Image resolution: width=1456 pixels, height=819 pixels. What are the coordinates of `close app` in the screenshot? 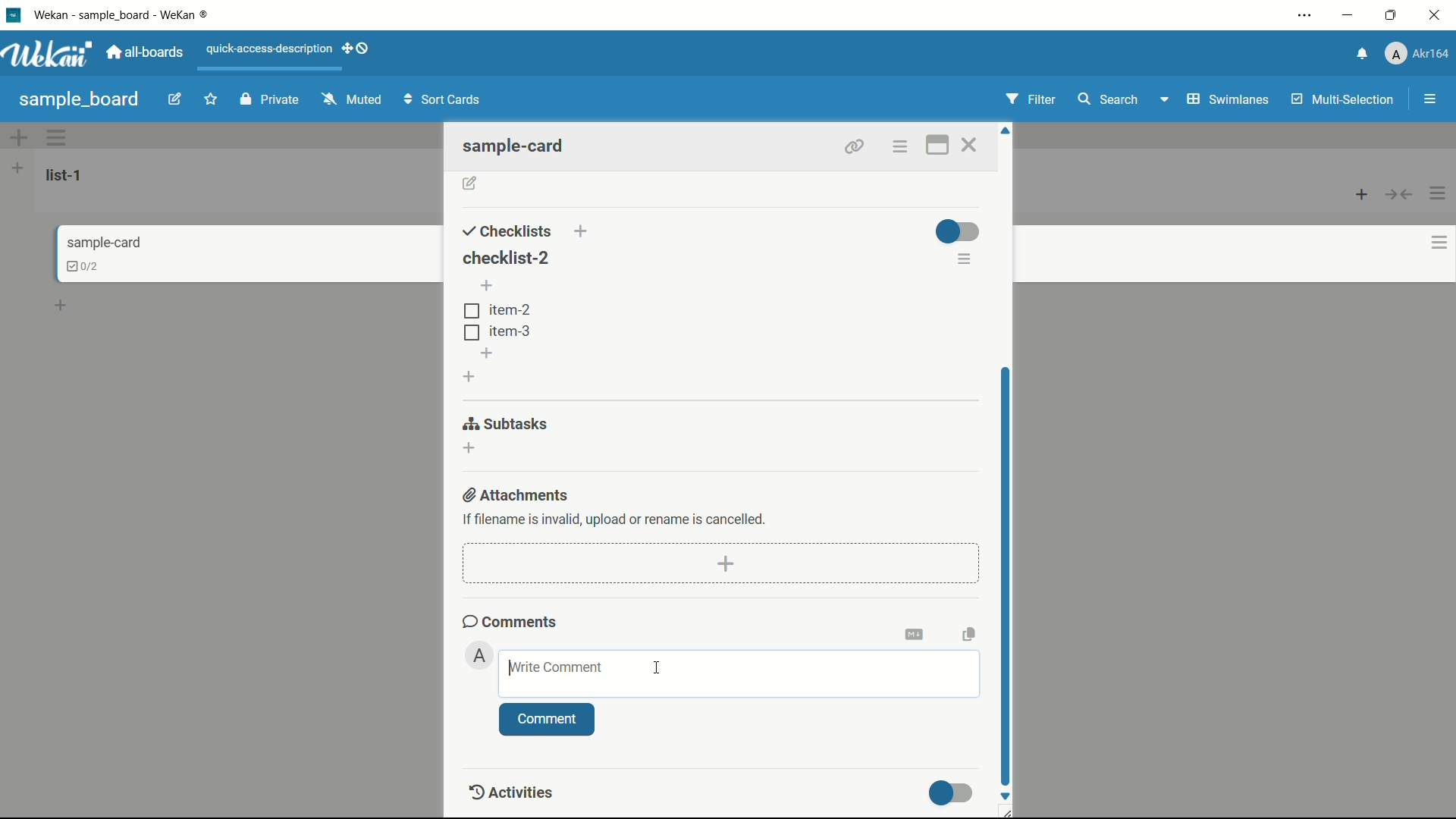 It's located at (1436, 15).